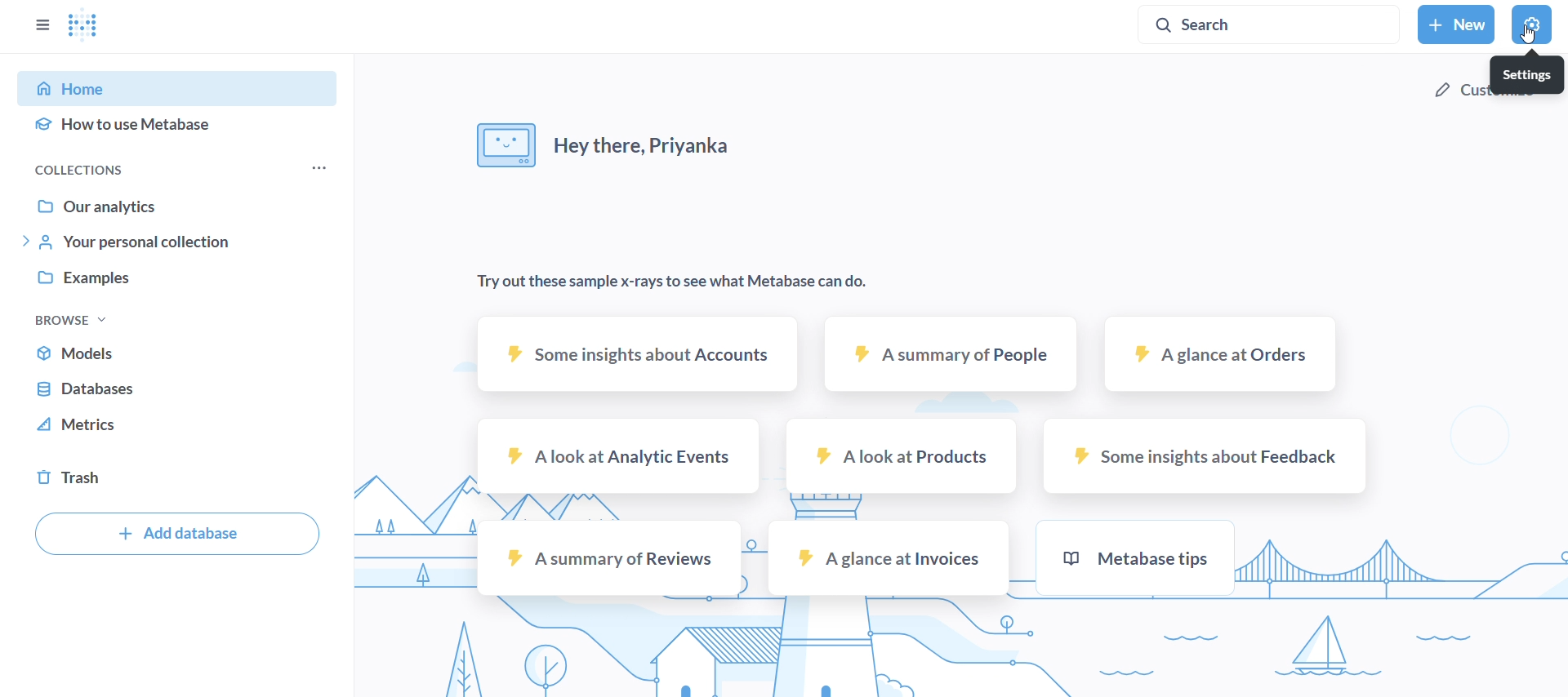  Describe the element at coordinates (46, 29) in the screenshot. I see `close sidebar` at that location.